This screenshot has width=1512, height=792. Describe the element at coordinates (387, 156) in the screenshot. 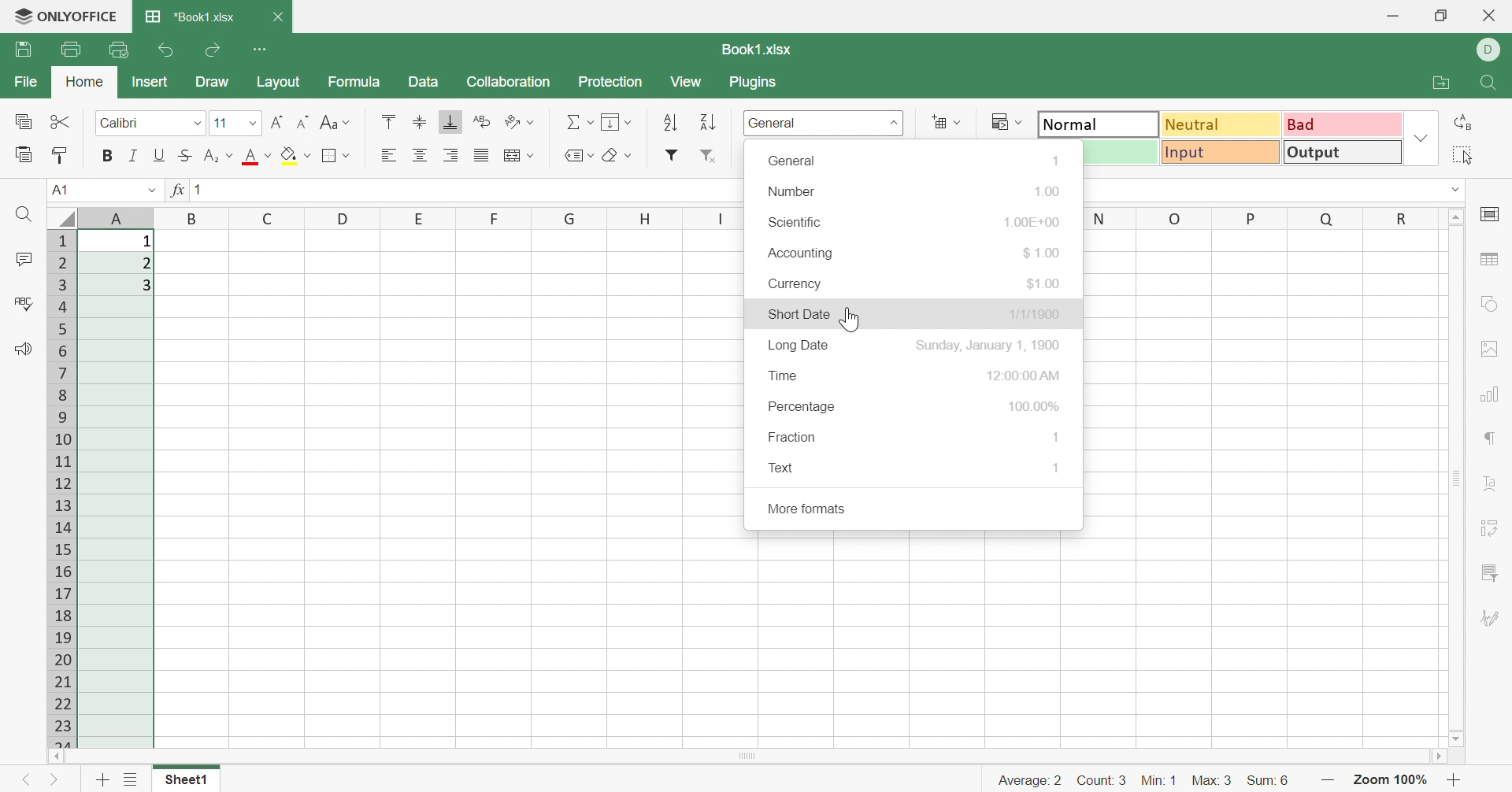

I see `Align left` at that location.